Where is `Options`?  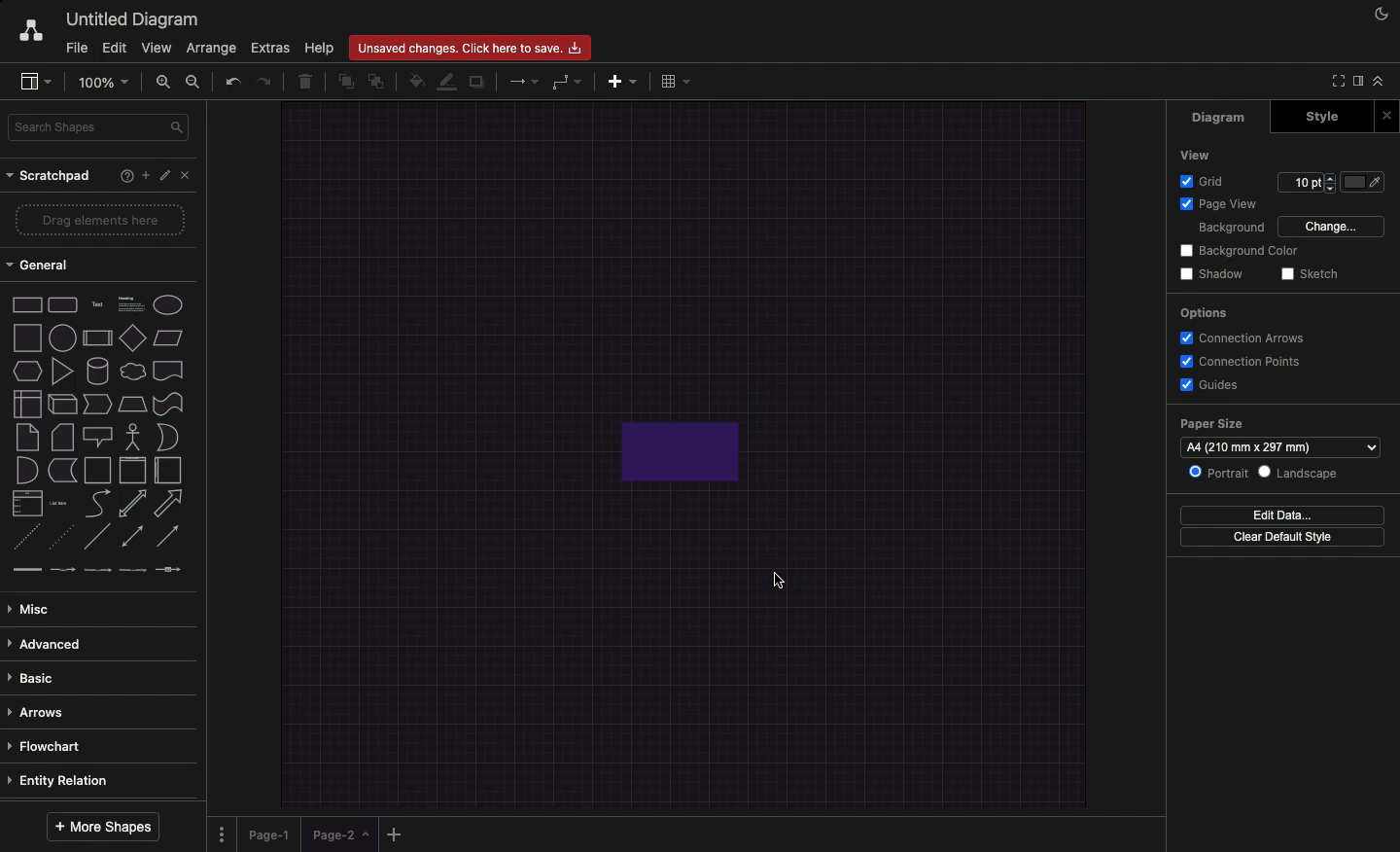 Options is located at coordinates (222, 828).